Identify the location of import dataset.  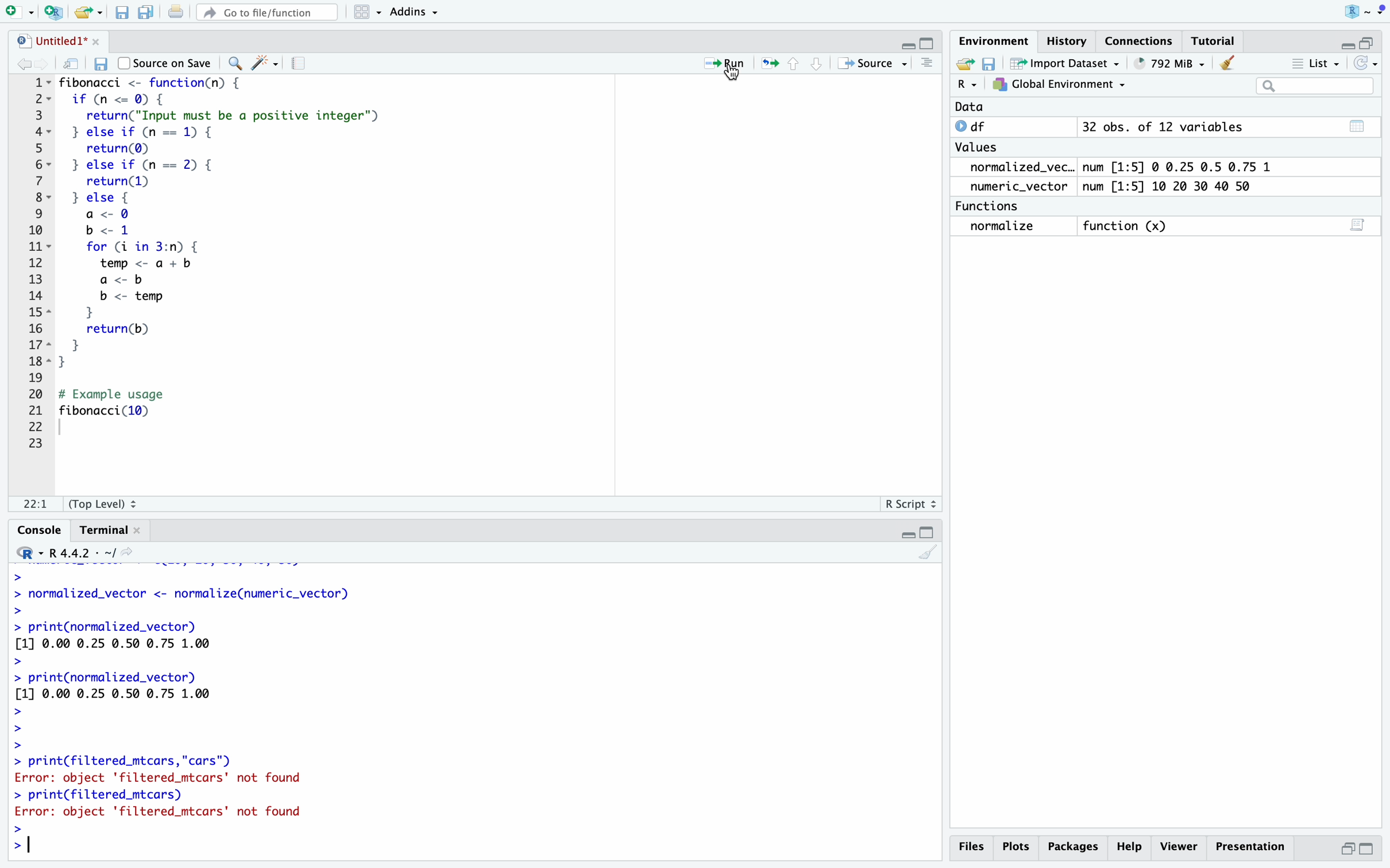
(1072, 64).